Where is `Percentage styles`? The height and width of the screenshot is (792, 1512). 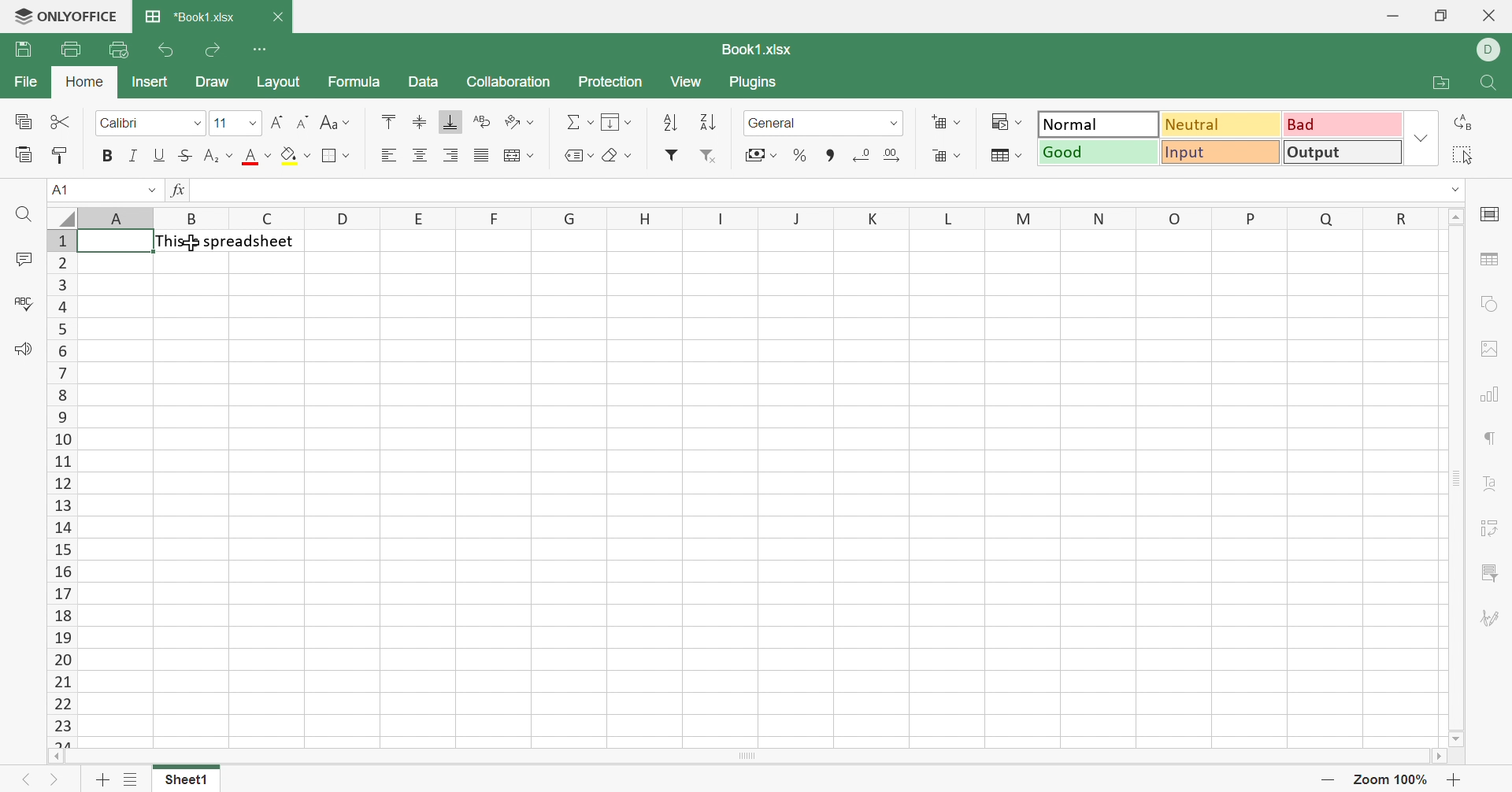
Percentage styles is located at coordinates (799, 154).